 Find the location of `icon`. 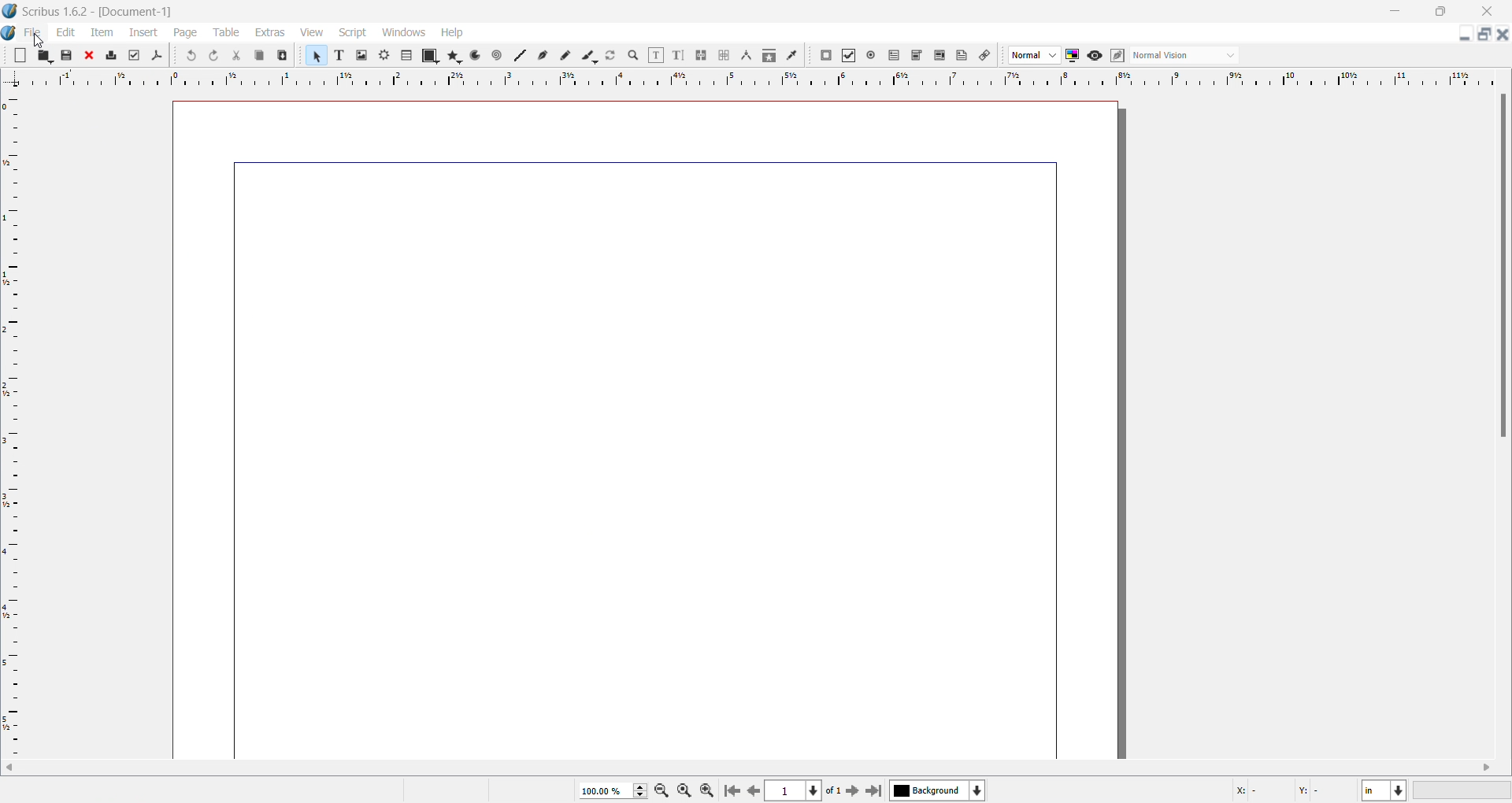

icon is located at coordinates (823, 57).